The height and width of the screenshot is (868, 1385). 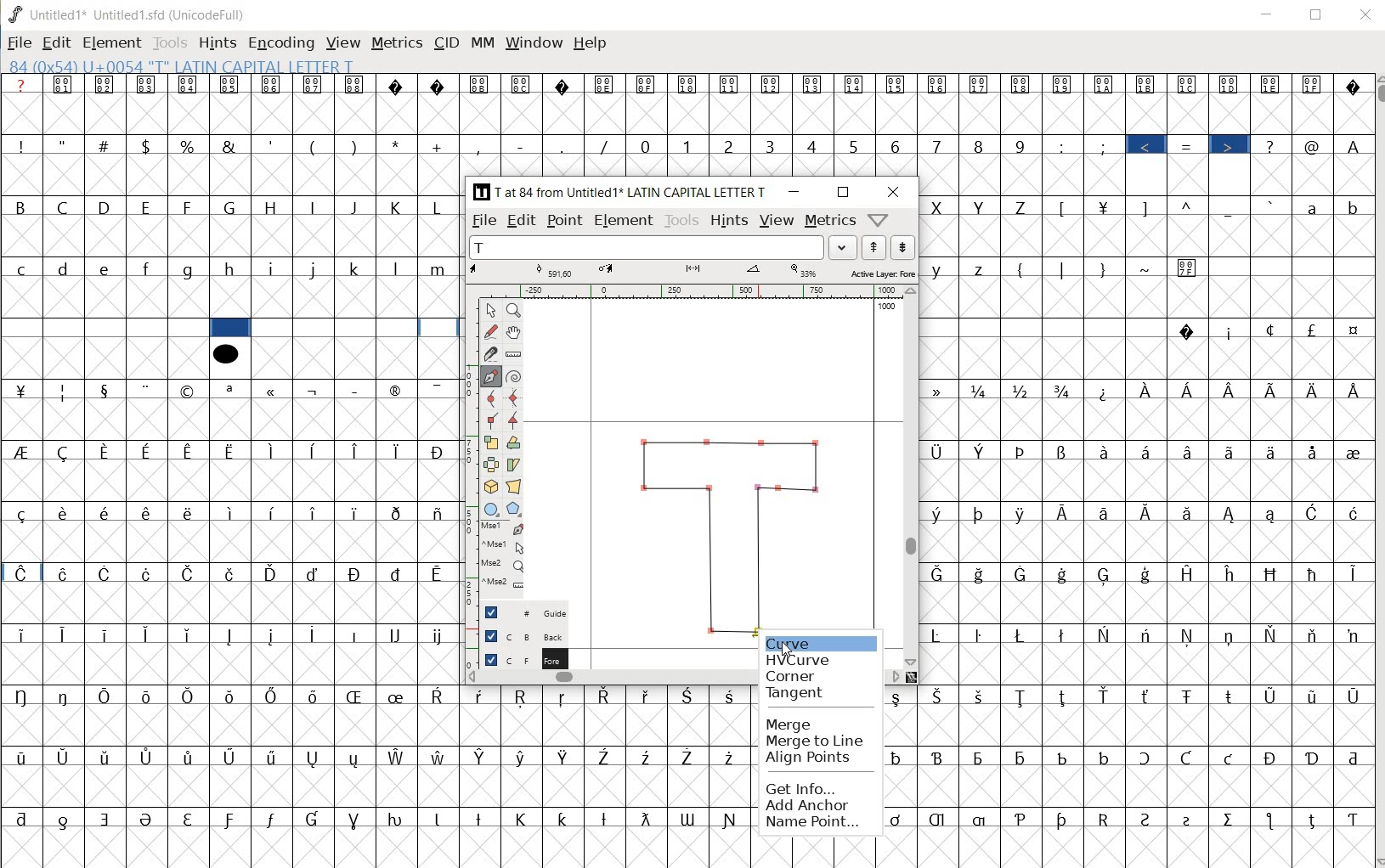 I want to click on Symbol, so click(x=63, y=513).